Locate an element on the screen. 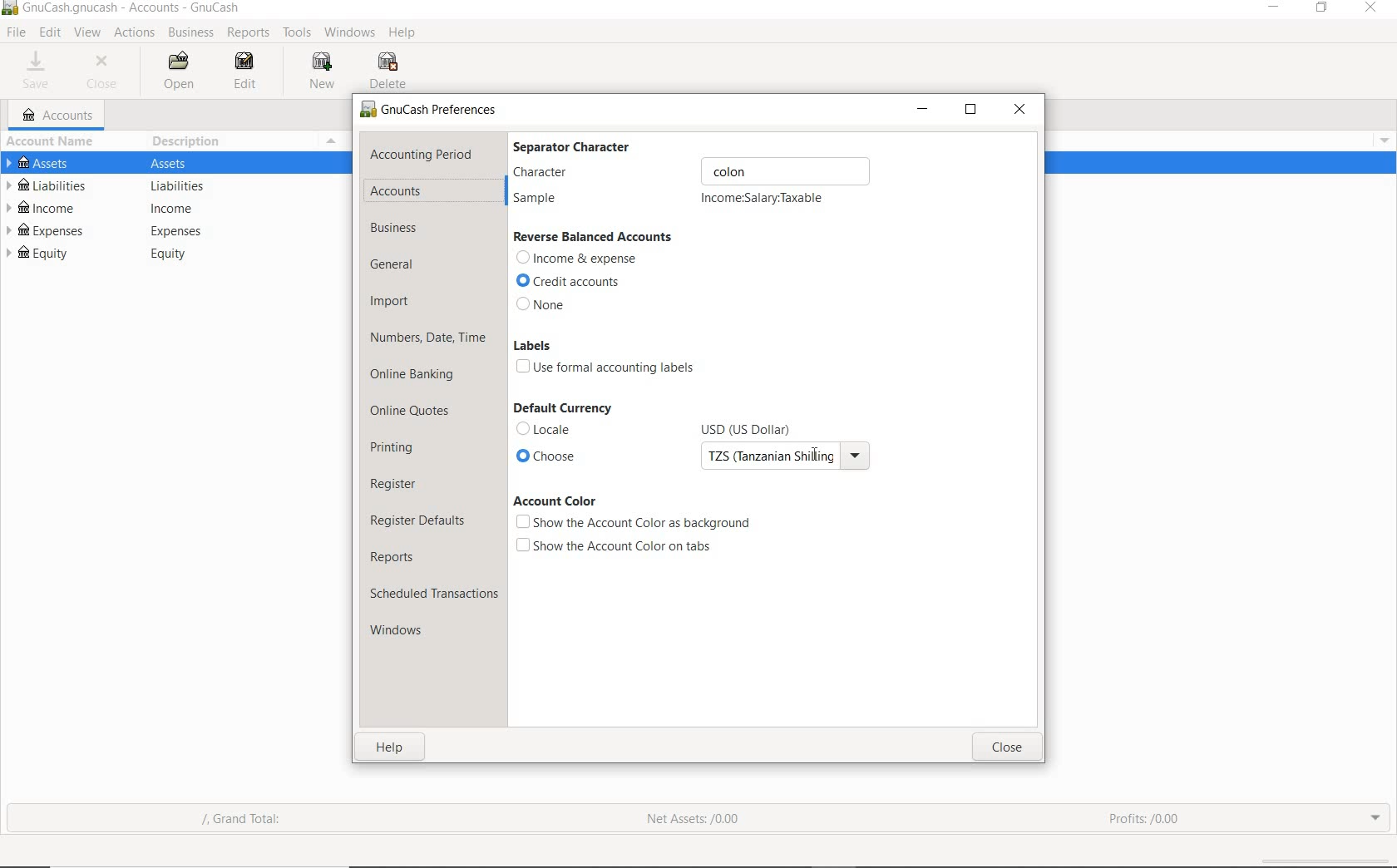  character is located at coordinates (590, 172).